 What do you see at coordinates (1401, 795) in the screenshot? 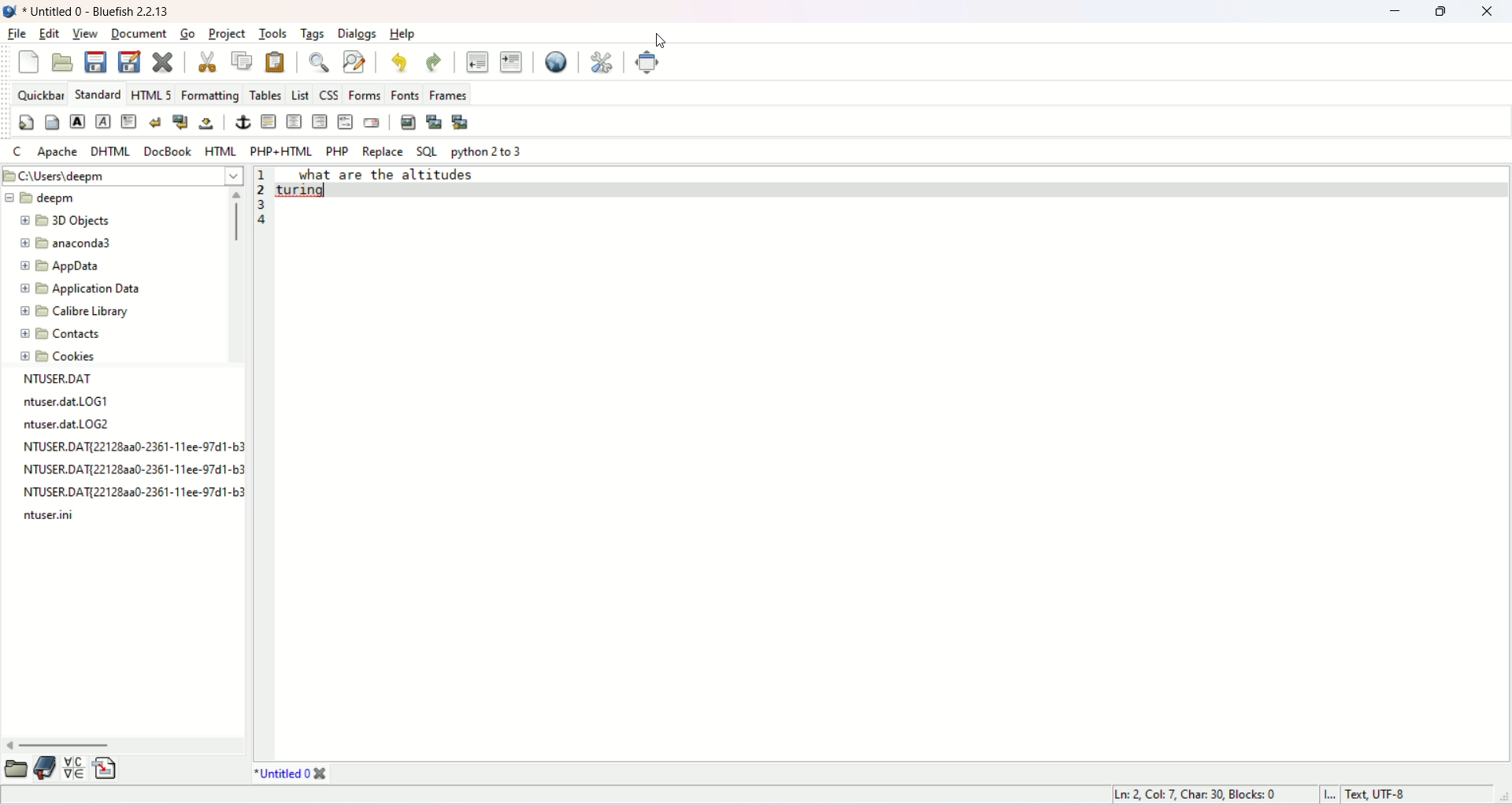
I see `text, UTF-8` at bounding box center [1401, 795].